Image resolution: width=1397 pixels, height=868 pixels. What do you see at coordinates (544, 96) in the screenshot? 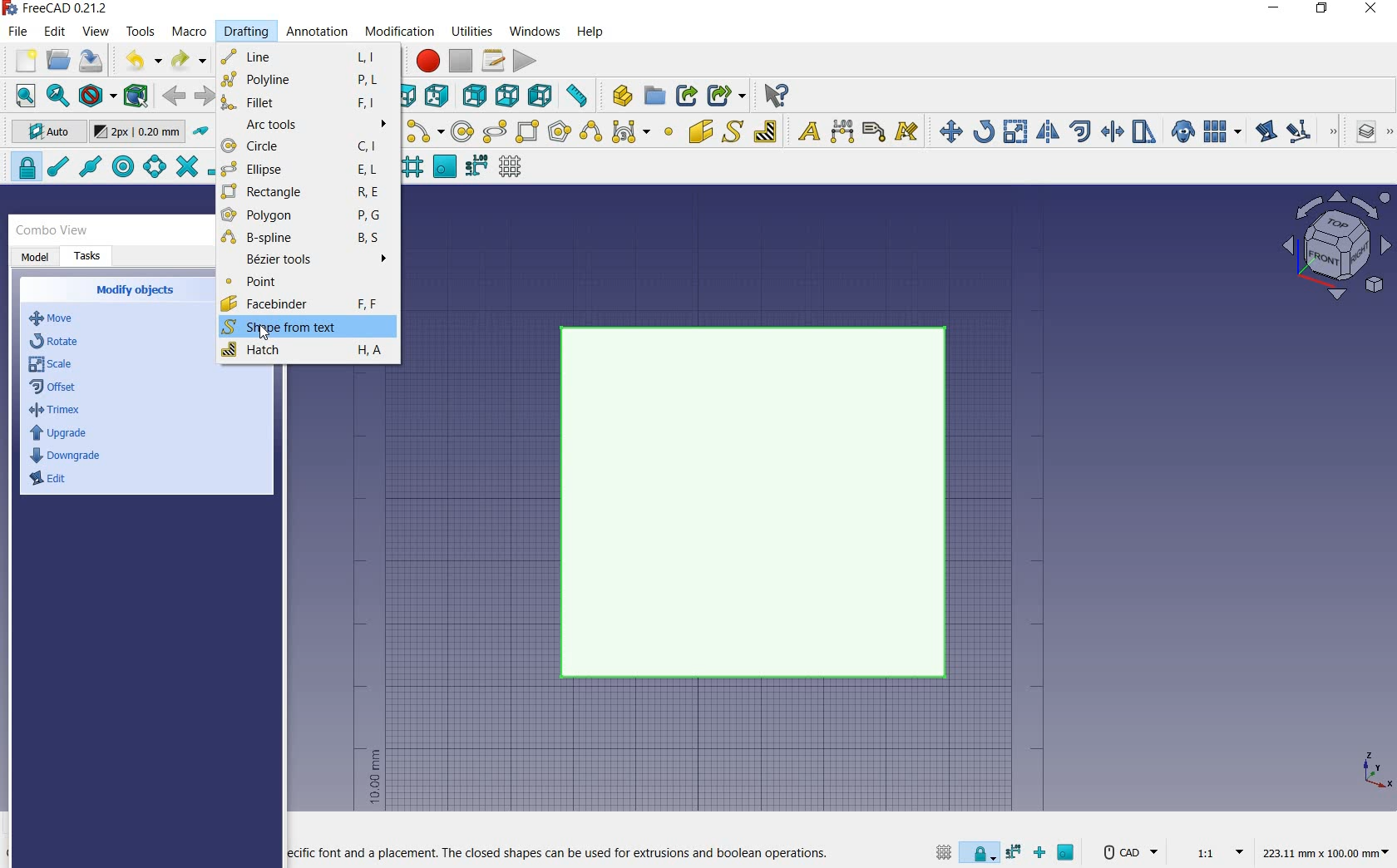
I see `left` at bounding box center [544, 96].